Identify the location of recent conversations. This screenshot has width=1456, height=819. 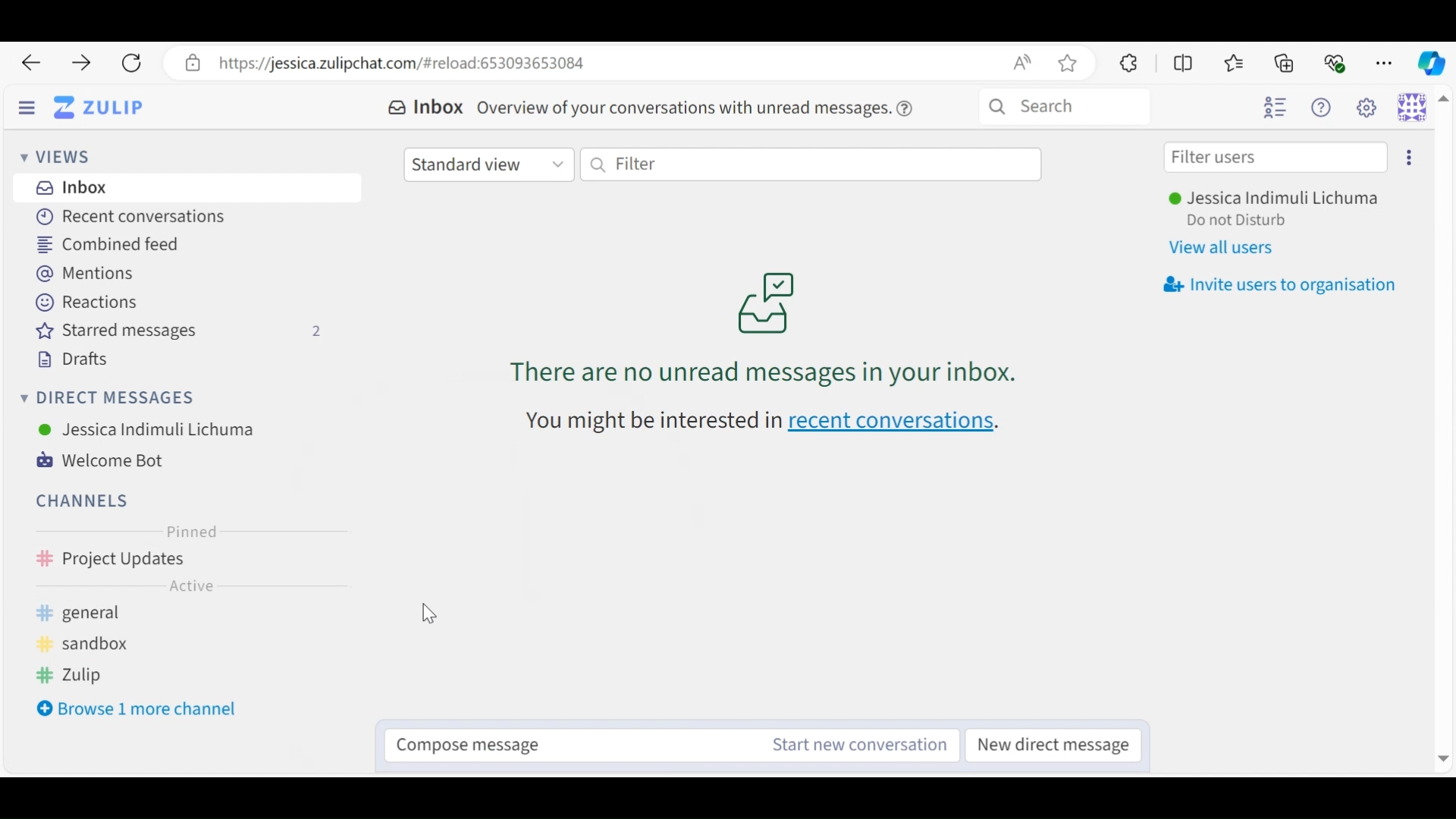
(772, 425).